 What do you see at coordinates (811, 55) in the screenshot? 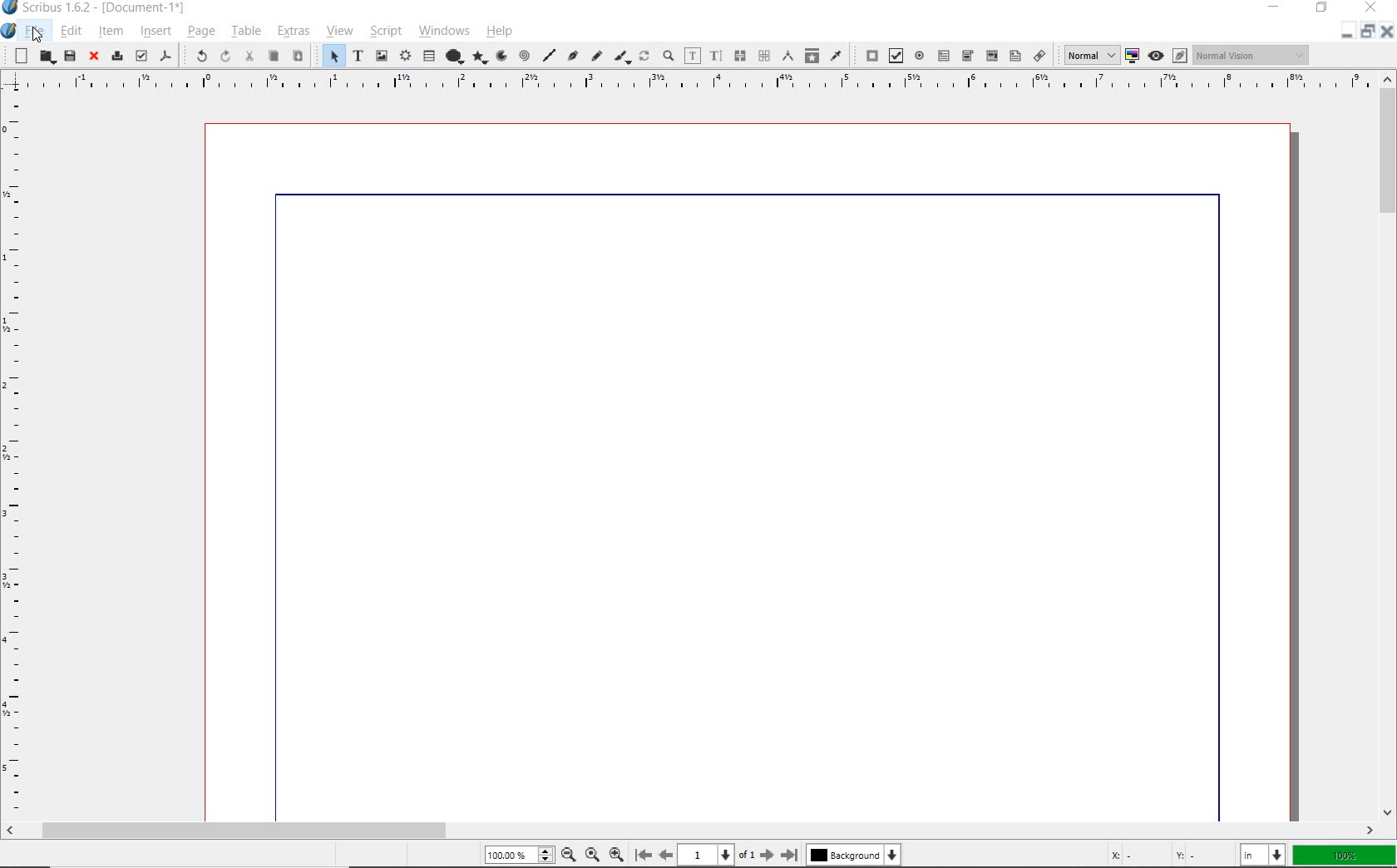
I see `copy item properties` at bounding box center [811, 55].